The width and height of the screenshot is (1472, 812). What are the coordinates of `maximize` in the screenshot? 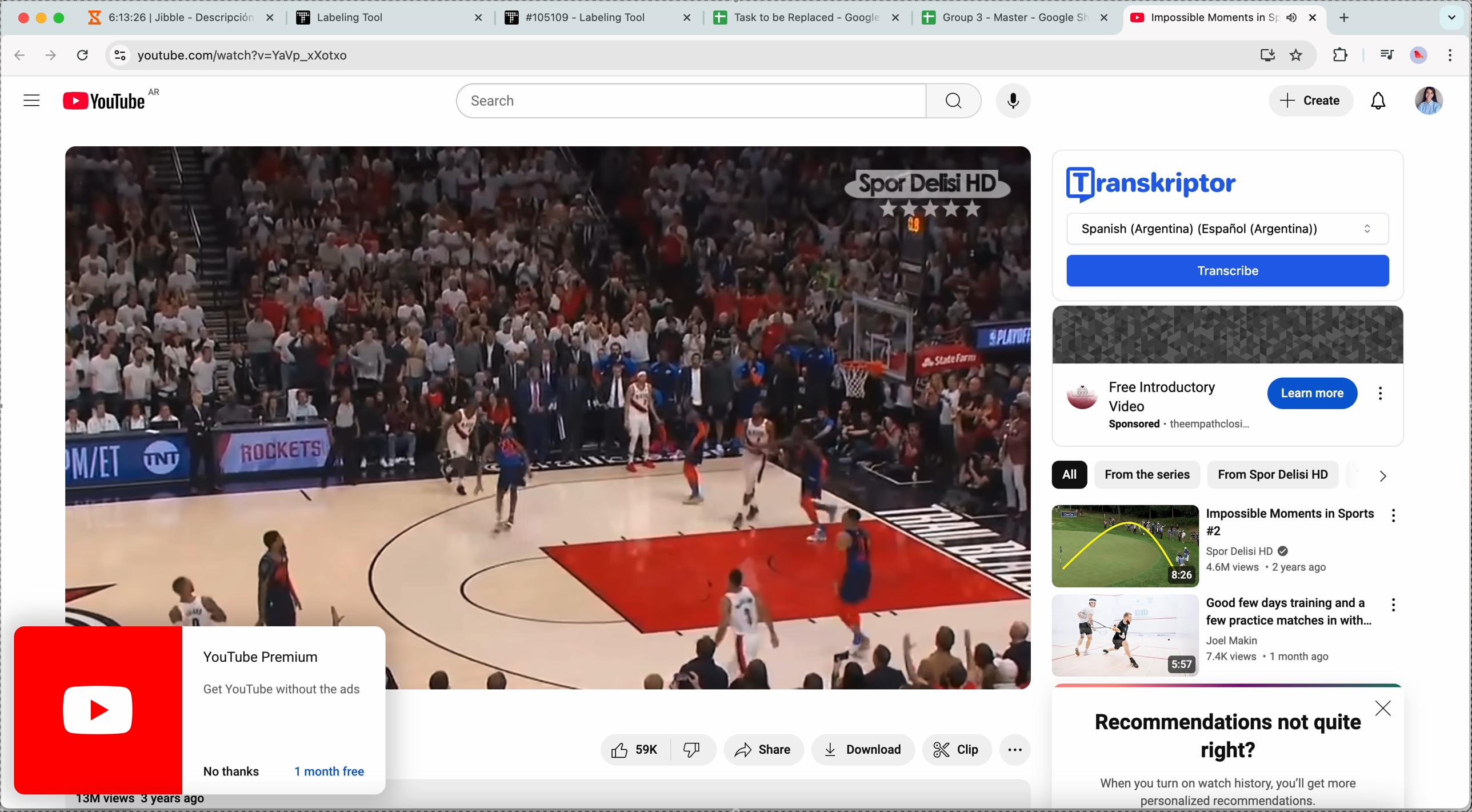 It's located at (63, 17).